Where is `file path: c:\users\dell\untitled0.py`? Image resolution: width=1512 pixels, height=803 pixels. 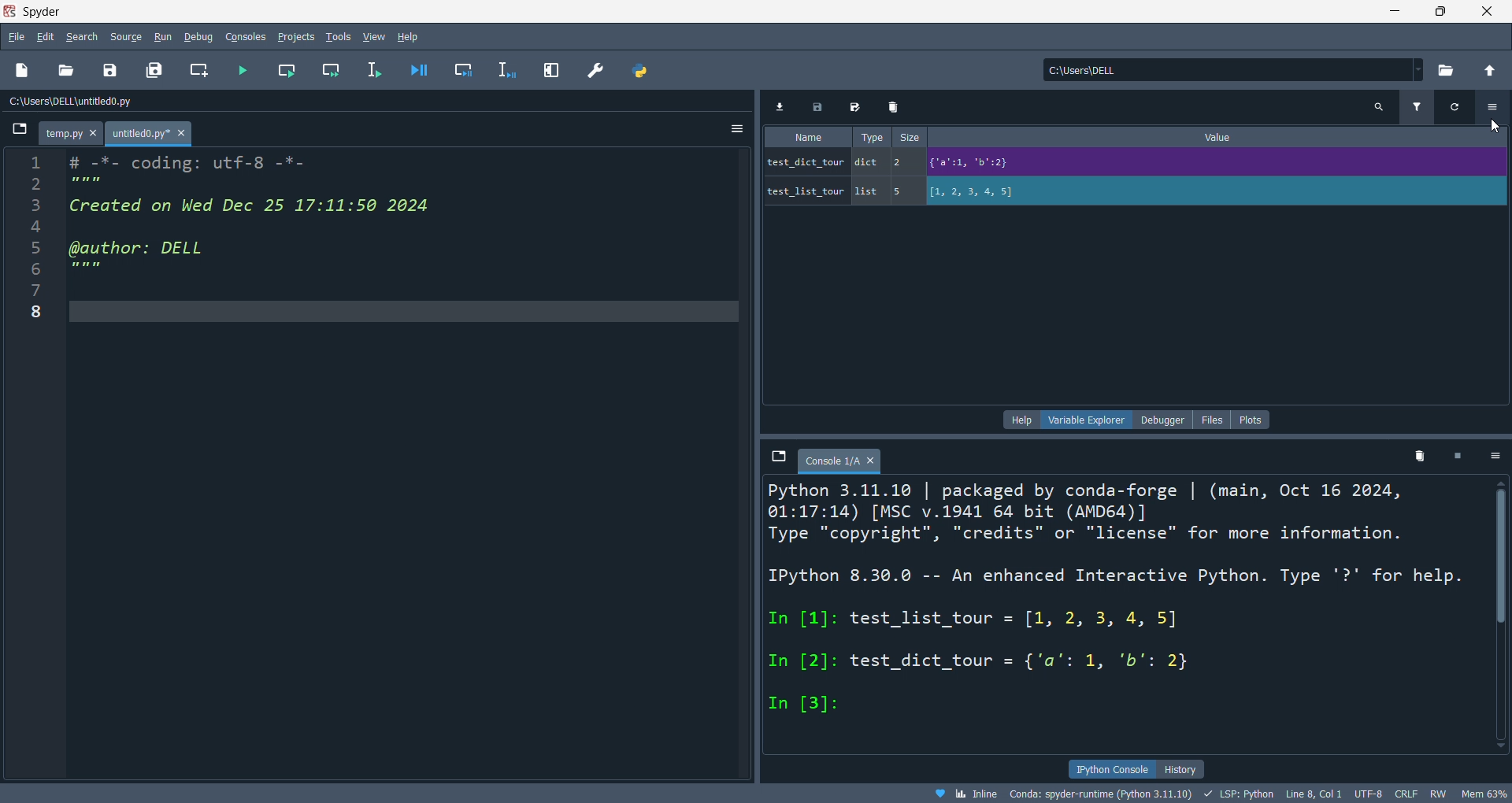
file path: c:\users\dell\untitled0.py is located at coordinates (116, 101).